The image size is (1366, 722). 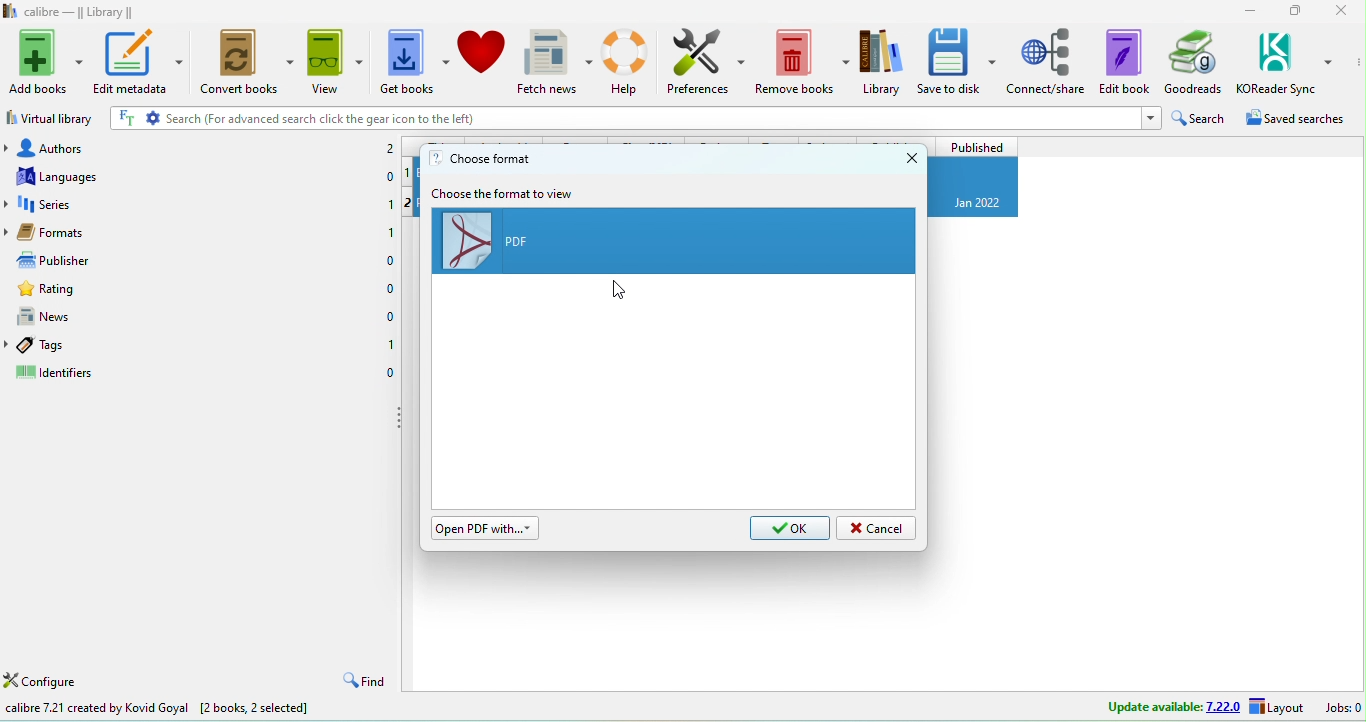 I want to click on series, so click(x=83, y=203).